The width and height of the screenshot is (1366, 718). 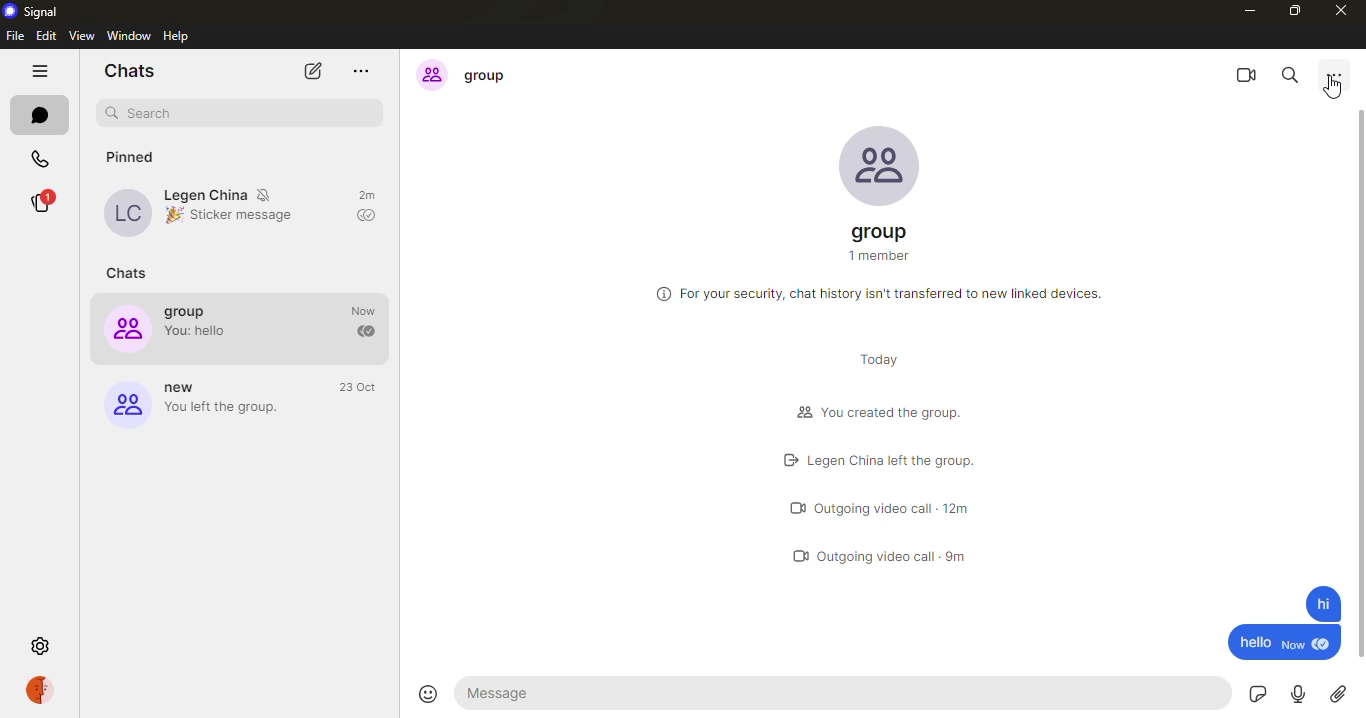 What do you see at coordinates (42, 115) in the screenshot?
I see `chats` at bounding box center [42, 115].